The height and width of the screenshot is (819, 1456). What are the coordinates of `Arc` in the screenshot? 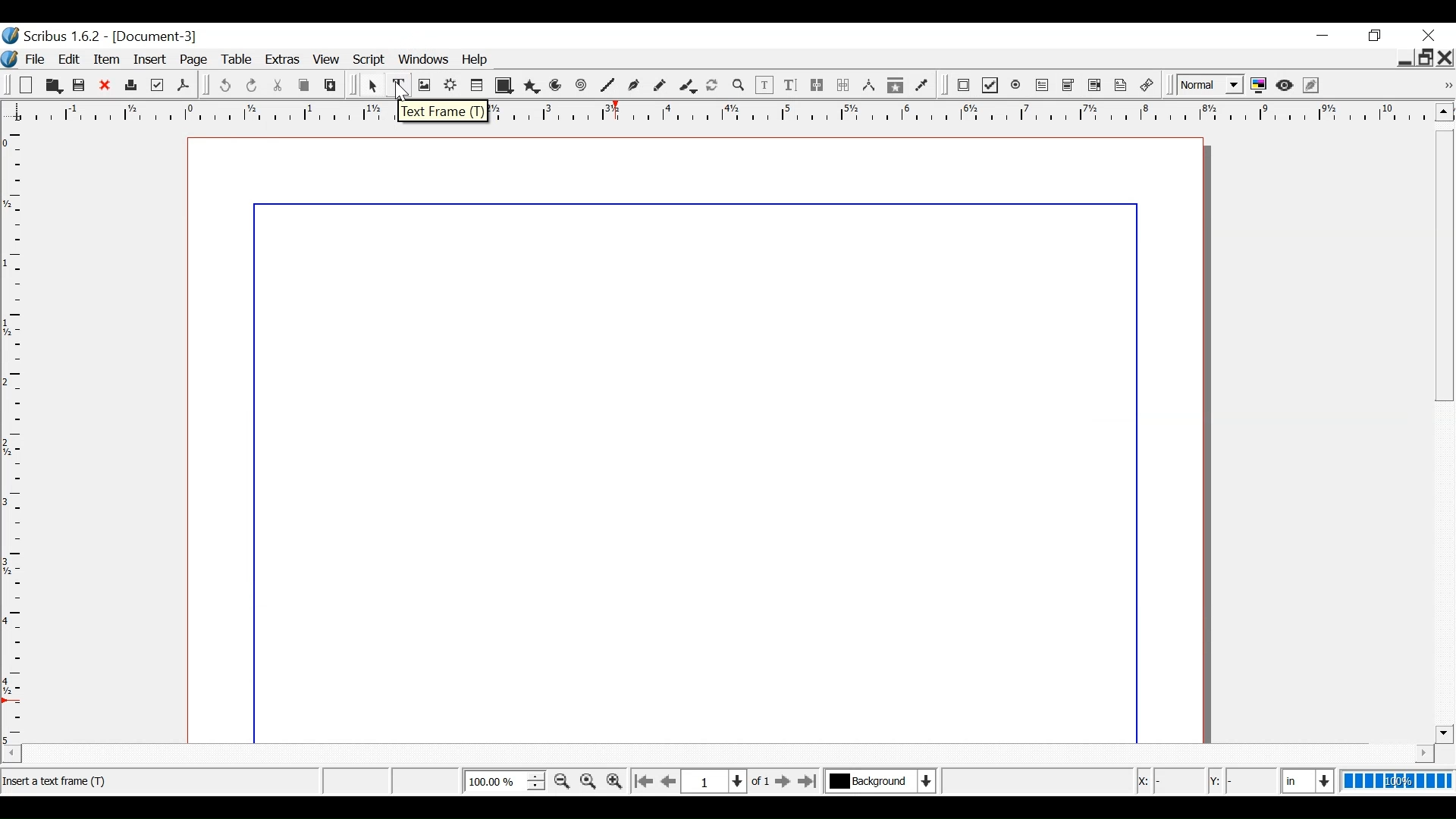 It's located at (557, 86).